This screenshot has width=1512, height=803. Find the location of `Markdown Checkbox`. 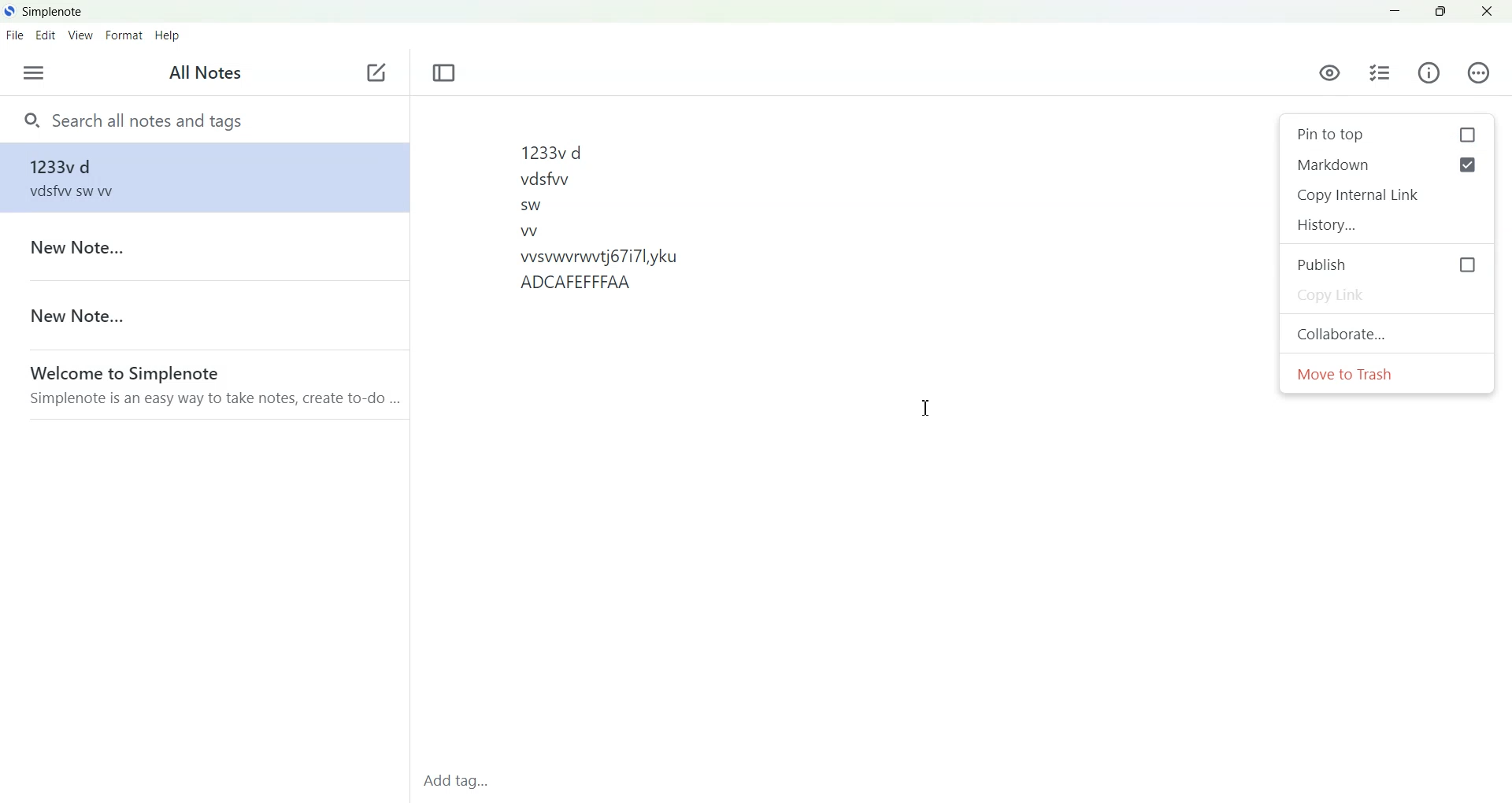

Markdown Checkbox is located at coordinates (1360, 165).